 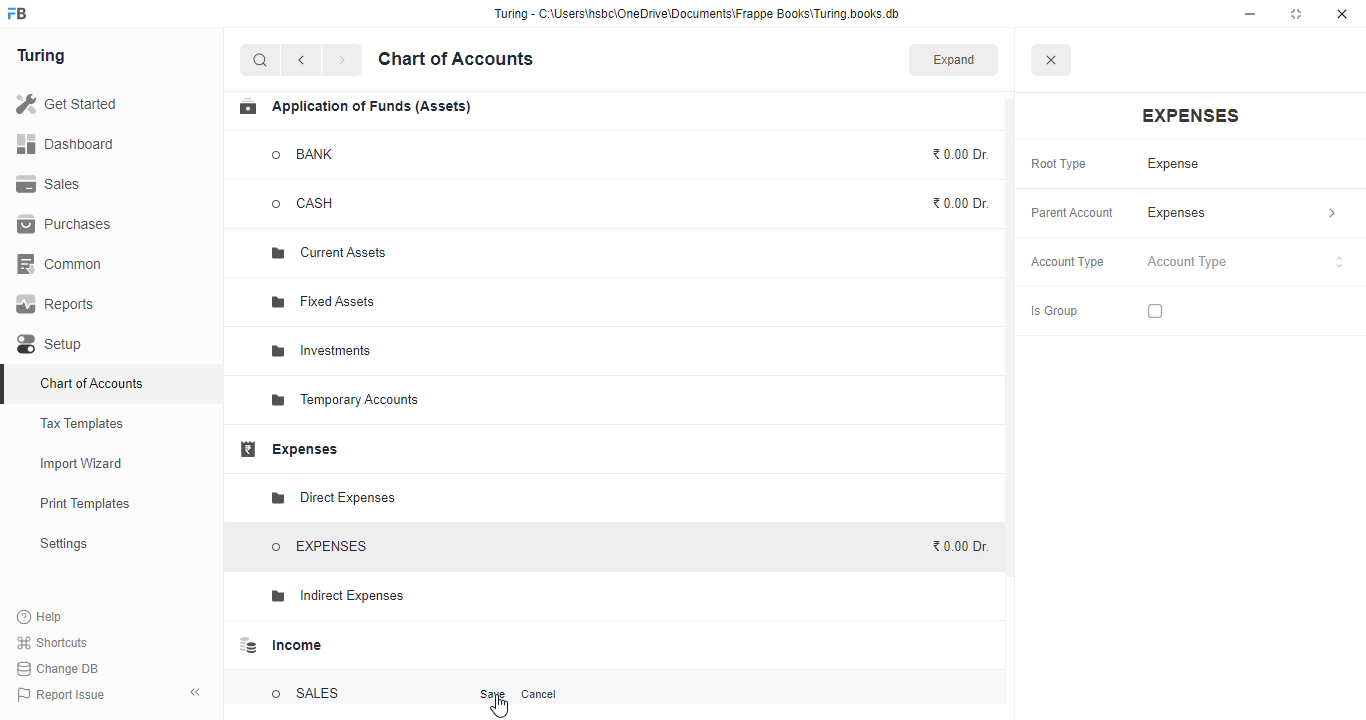 What do you see at coordinates (325, 301) in the screenshot?
I see `fixed assets` at bounding box center [325, 301].